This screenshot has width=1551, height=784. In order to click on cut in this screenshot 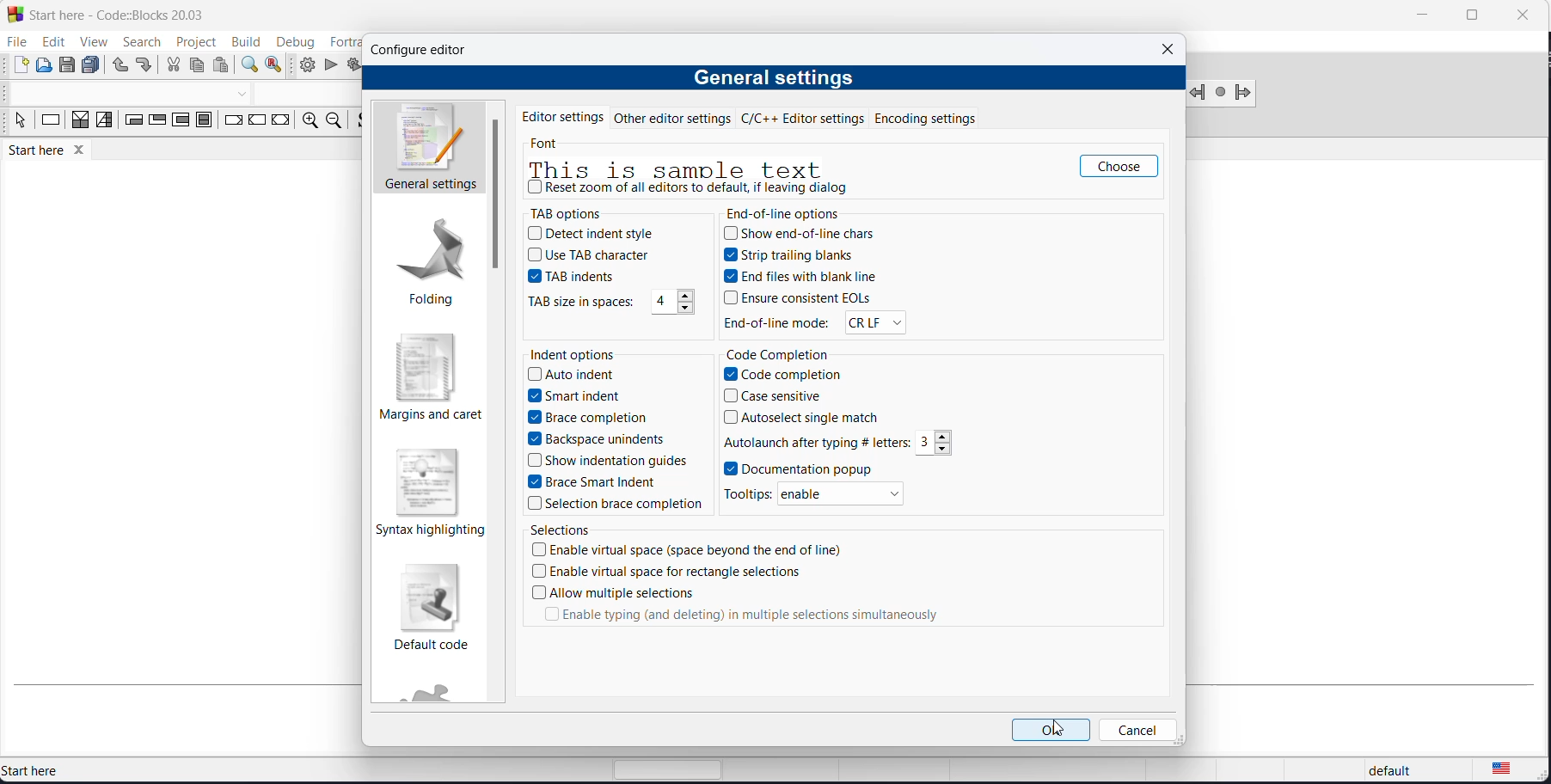, I will do `click(173, 67)`.